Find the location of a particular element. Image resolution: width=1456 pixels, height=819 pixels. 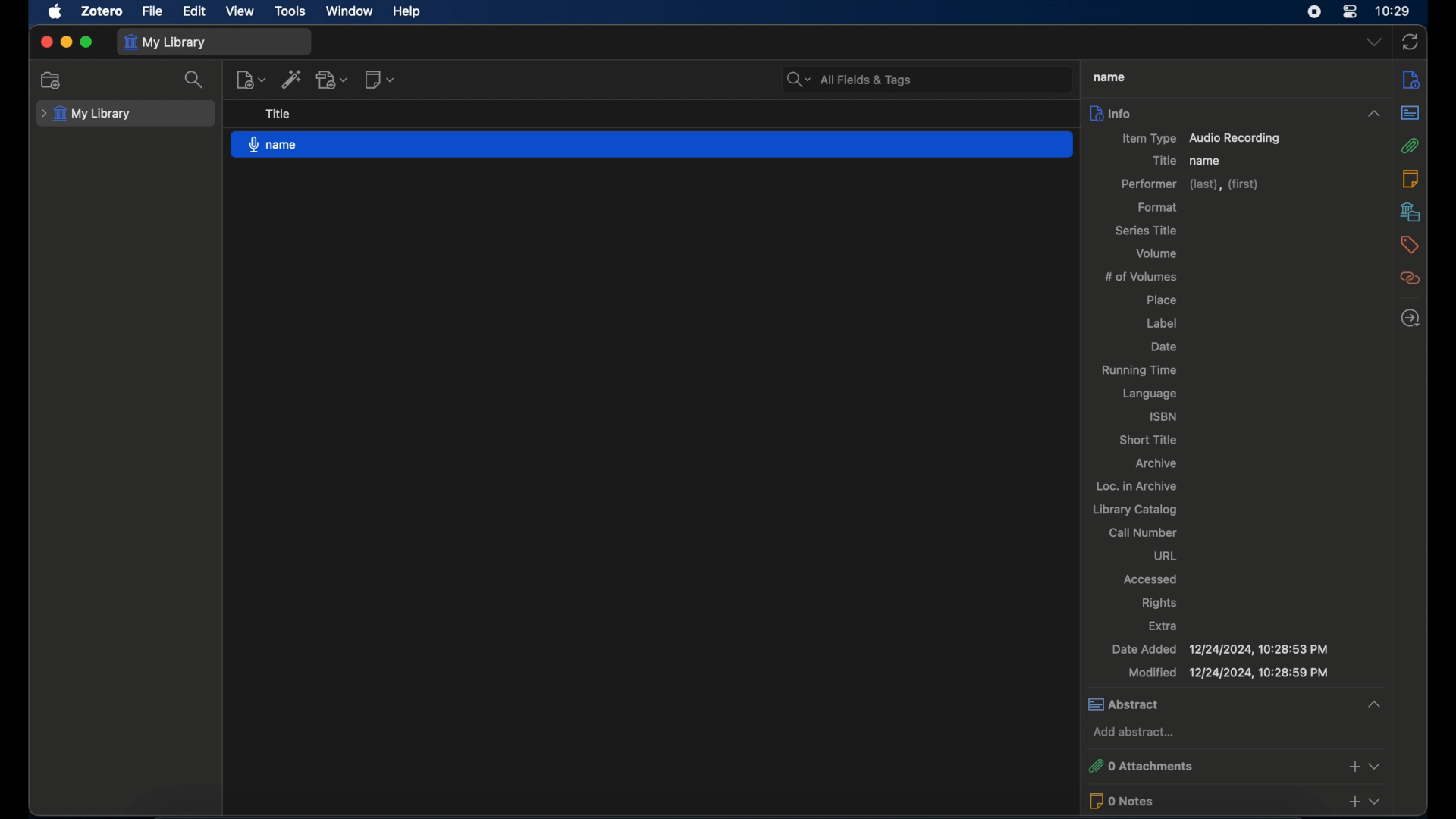

tools is located at coordinates (290, 11).